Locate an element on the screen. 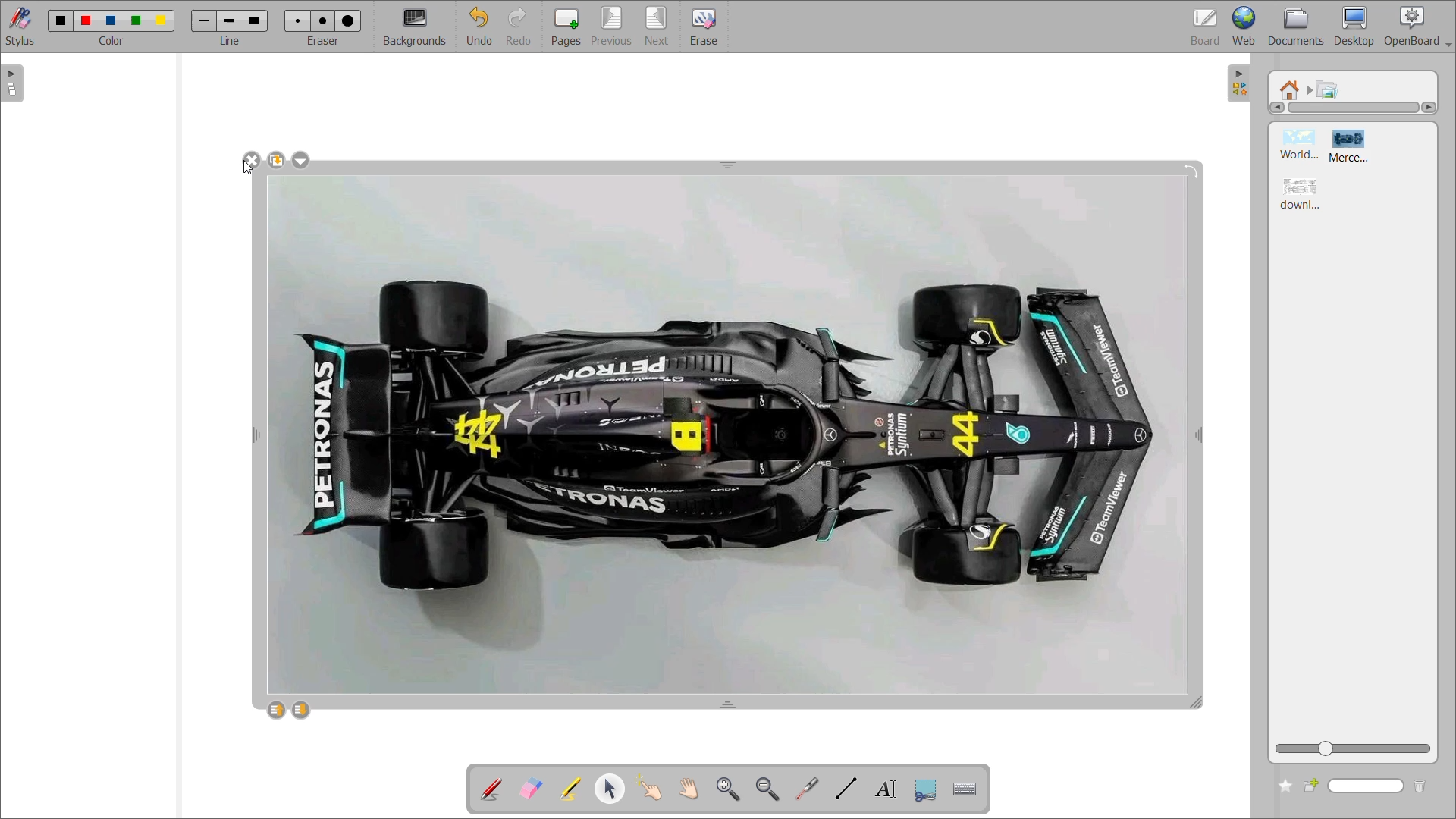 The image size is (1456, 819). image 1 is located at coordinates (1301, 144).